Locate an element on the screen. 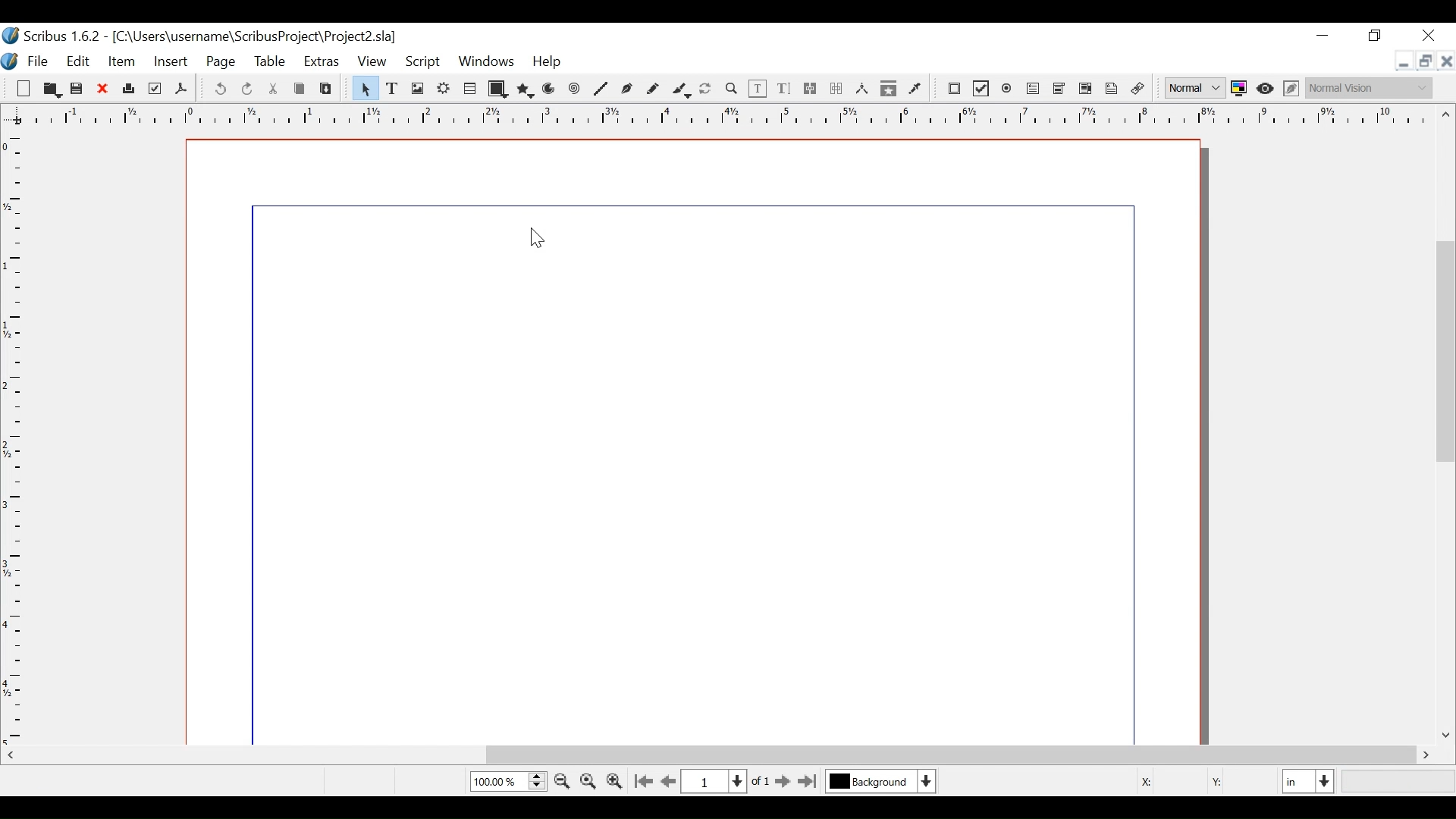 This screenshot has height=819, width=1456. Text Frame is located at coordinates (394, 89).